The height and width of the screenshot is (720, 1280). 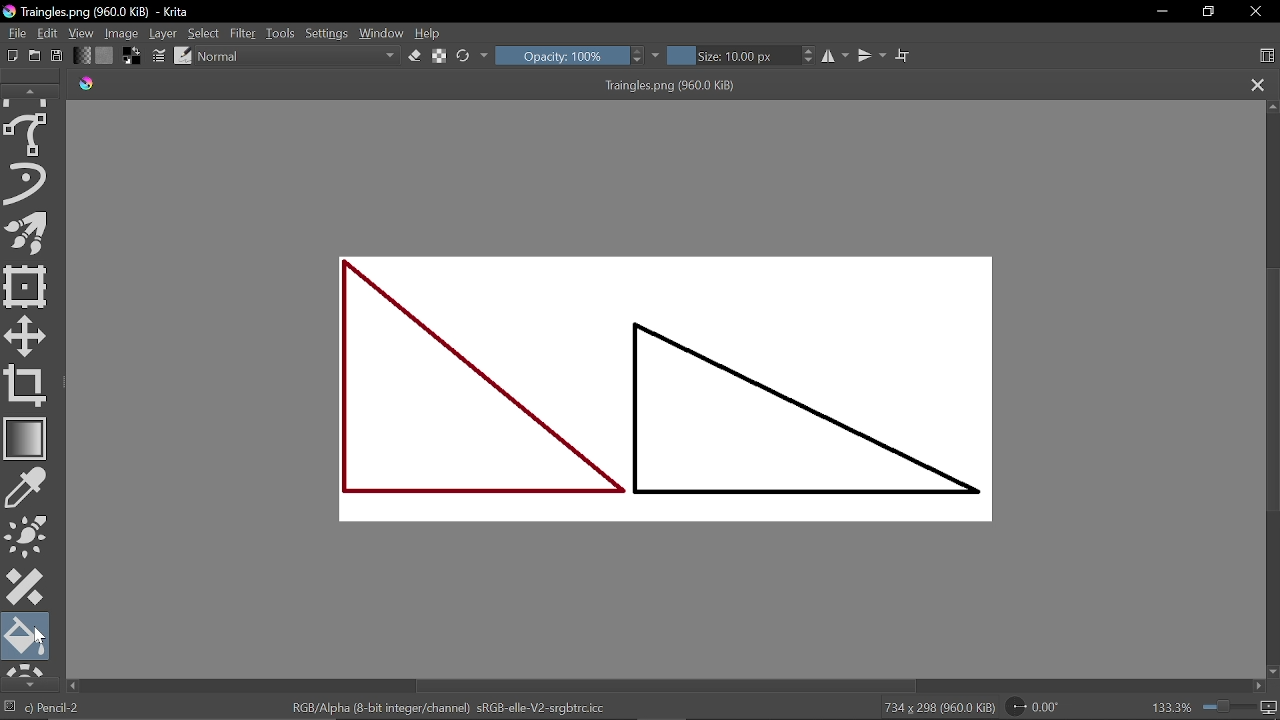 What do you see at coordinates (874, 57) in the screenshot?
I see `Vertical mirror tool` at bounding box center [874, 57].